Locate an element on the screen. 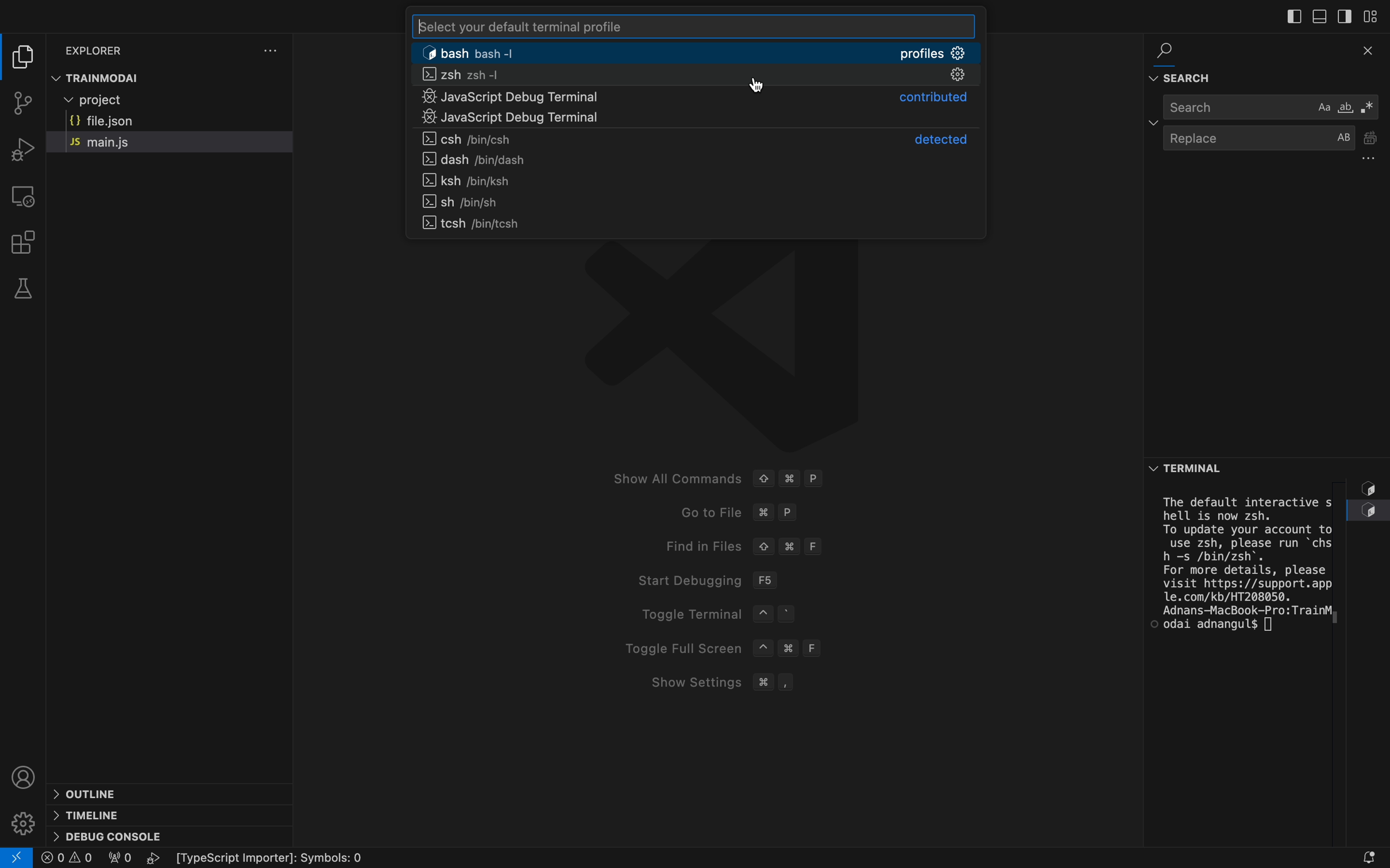 This screenshot has width=1390, height=868. sidebar at bottom is located at coordinates (1317, 18).